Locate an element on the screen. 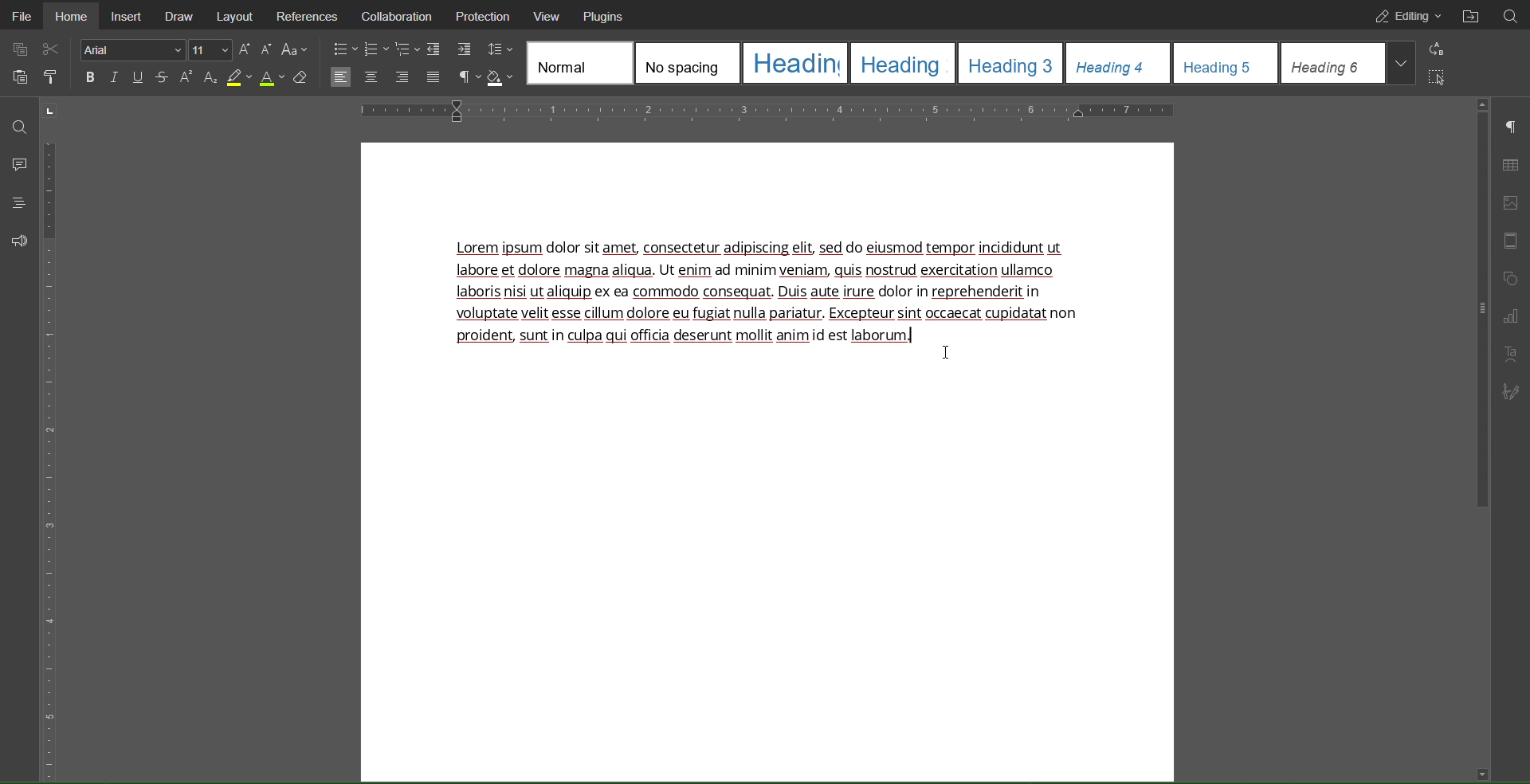 The height and width of the screenshot is (784, 1530). Input cursor is located at coordinates (946, 355).